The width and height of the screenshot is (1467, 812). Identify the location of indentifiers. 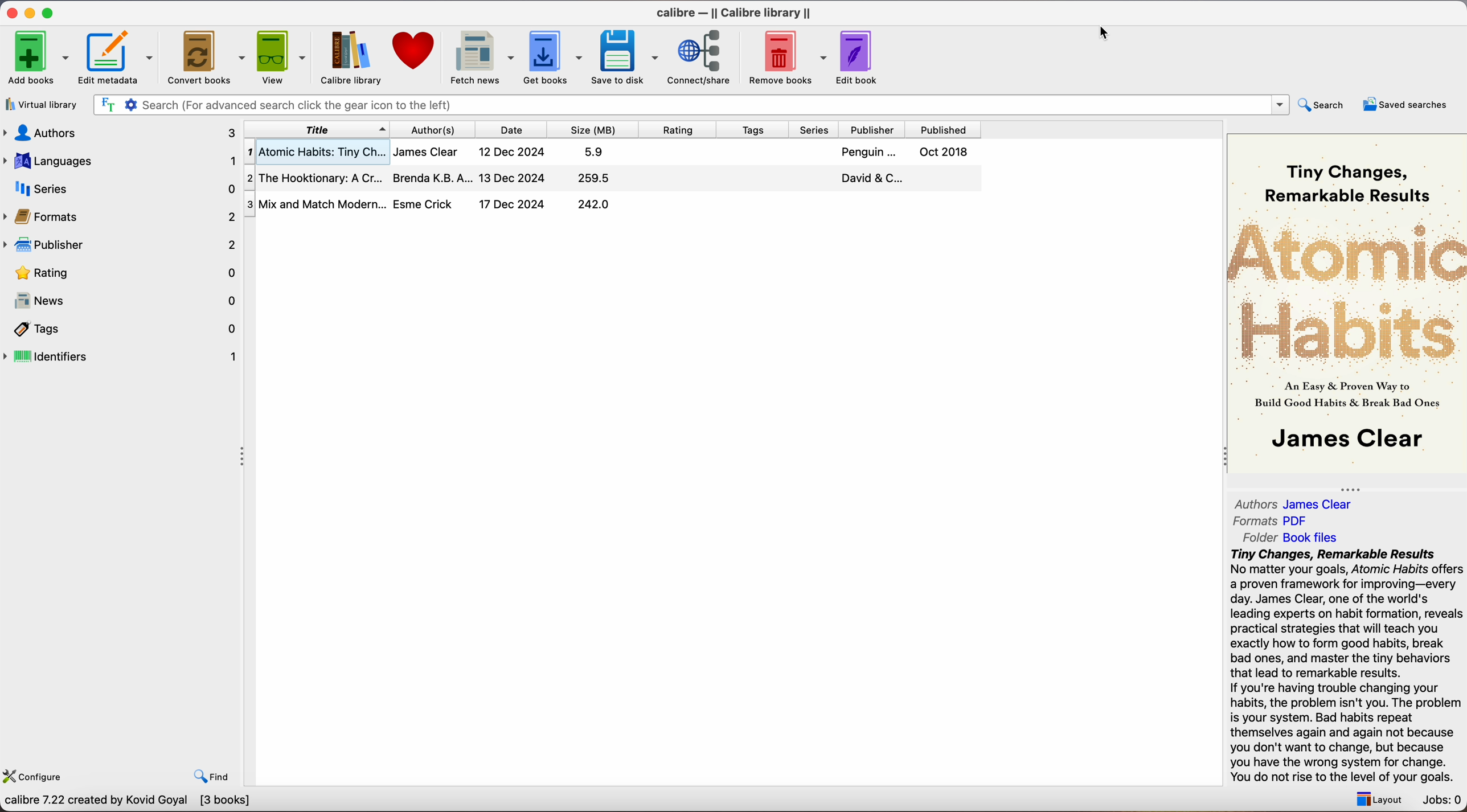
(123, 355).